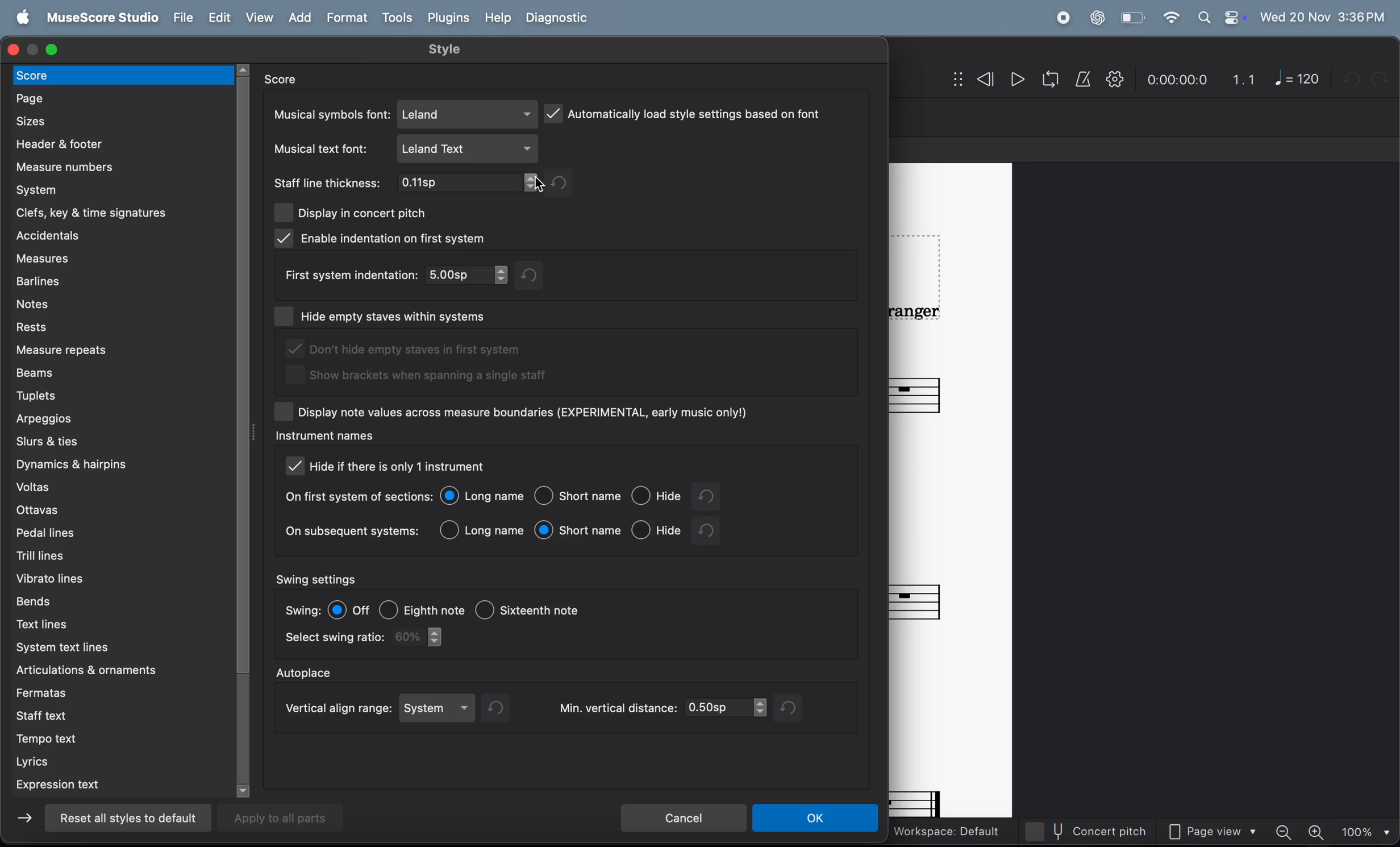  Describe the element at coordinates (683, 816) in the screenshot. I see `cancel` at that location.